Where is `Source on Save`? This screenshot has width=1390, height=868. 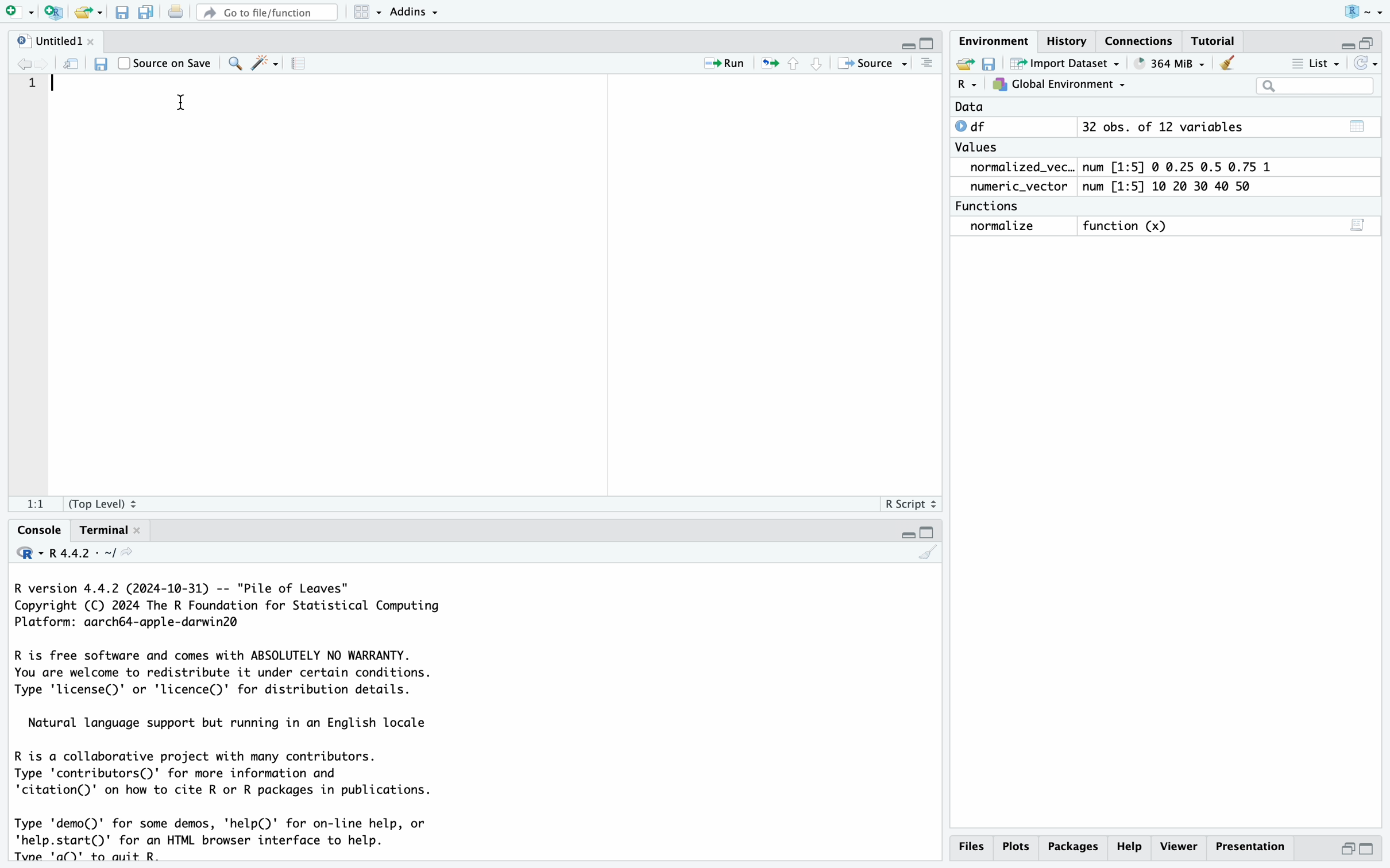
Source on Save is located at coordinates (166, 61).